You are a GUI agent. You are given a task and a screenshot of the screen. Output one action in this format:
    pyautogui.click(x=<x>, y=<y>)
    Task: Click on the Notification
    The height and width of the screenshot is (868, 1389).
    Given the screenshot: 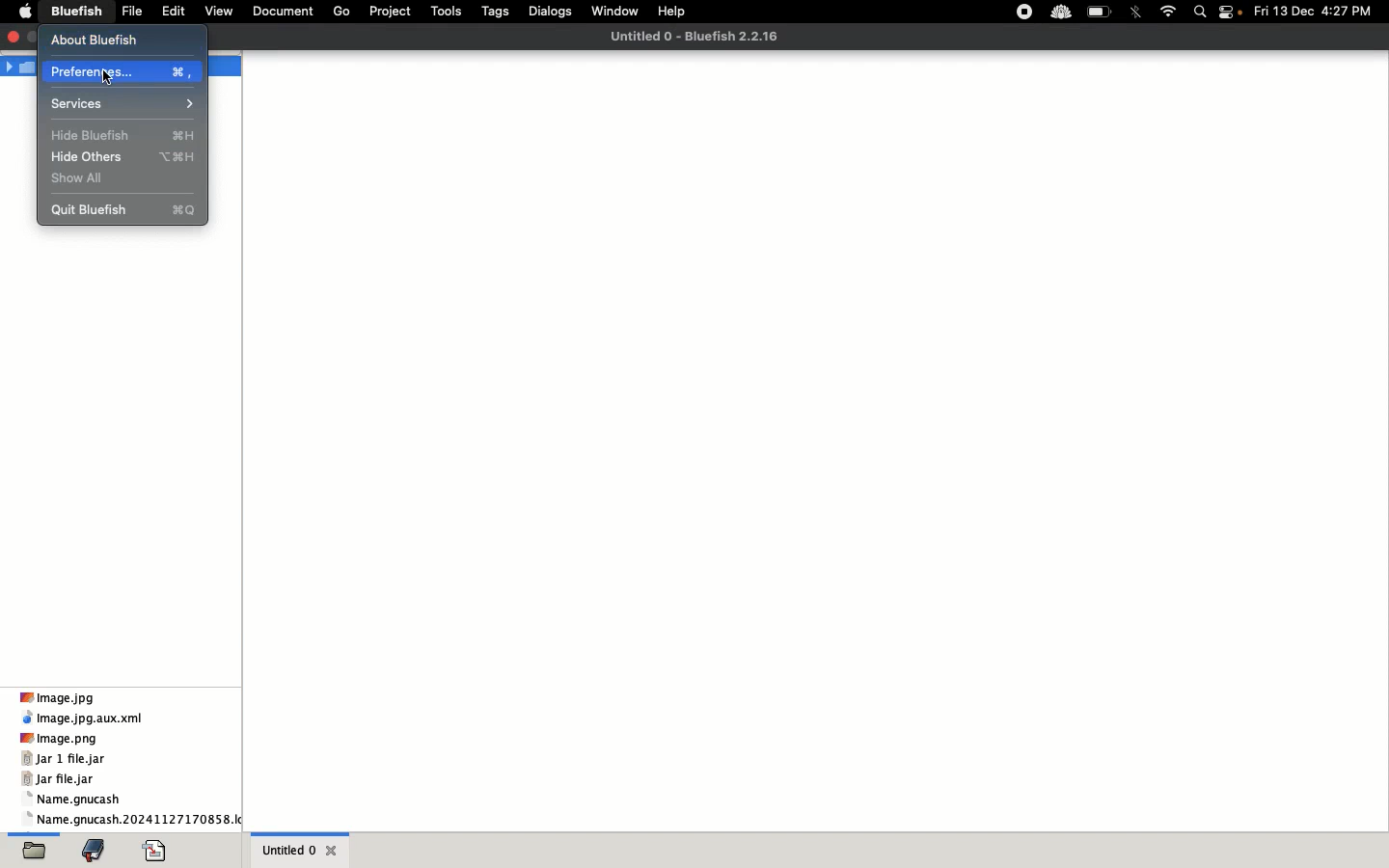 What is the action you would take?
    pyautogui.click(x=1234, y=14)
    